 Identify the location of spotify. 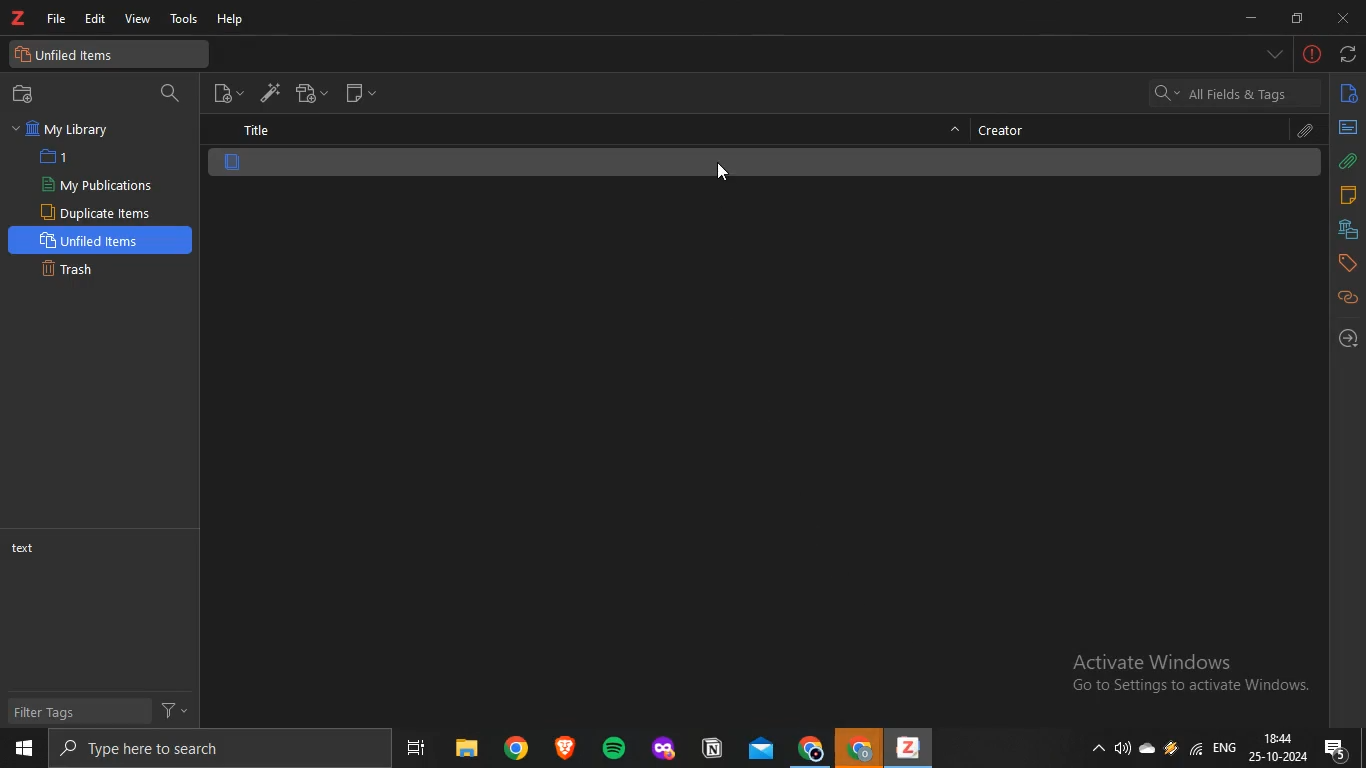
(614, 746).